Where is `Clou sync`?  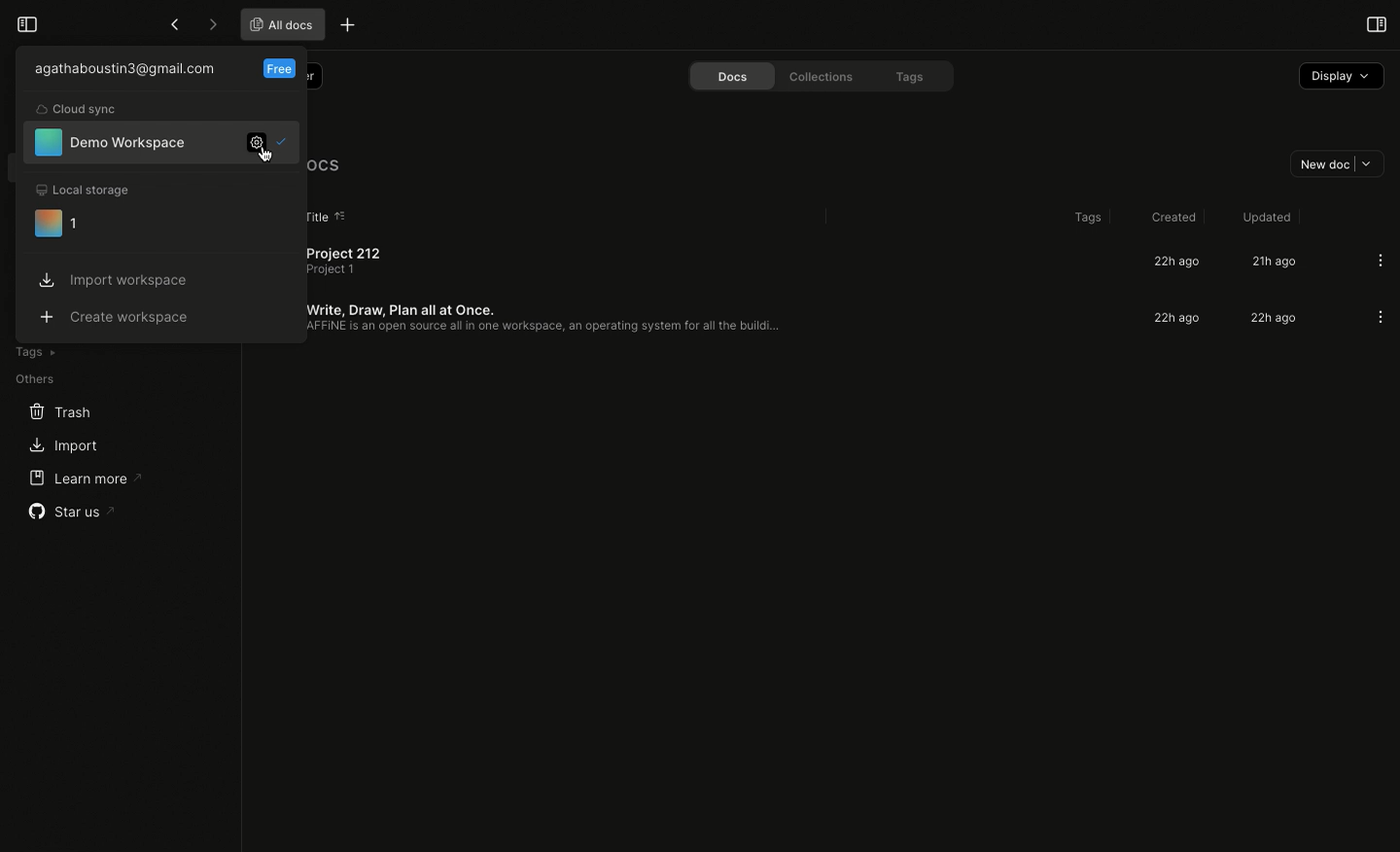
Clou sync is located at coordinates (79, 110).